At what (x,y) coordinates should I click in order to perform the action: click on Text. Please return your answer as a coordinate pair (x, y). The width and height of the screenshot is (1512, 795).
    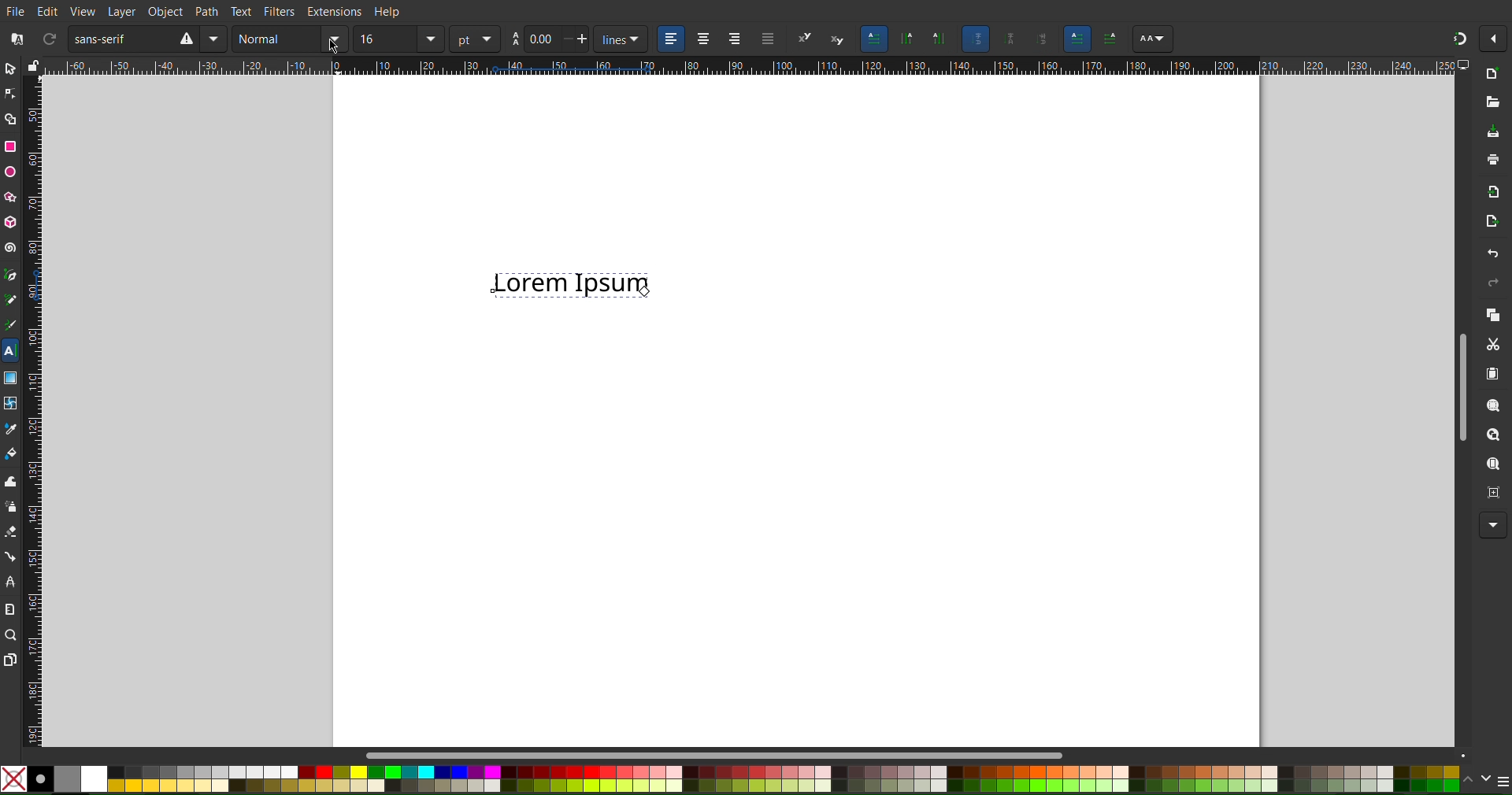
    Looking at the image, I should click on (242, 11).